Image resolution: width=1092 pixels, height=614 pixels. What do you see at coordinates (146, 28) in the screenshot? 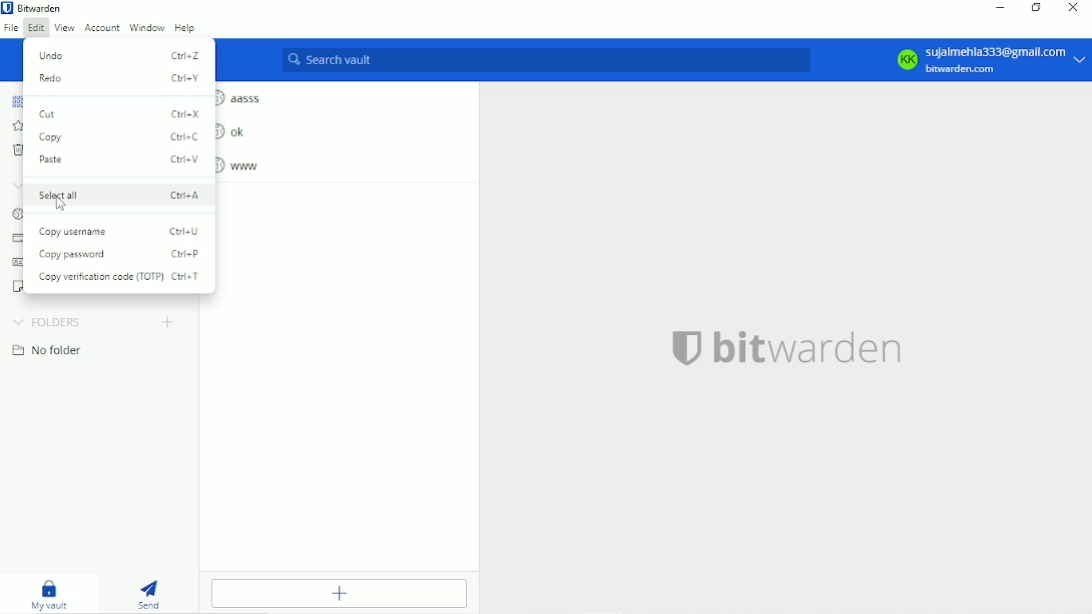
I see `Window` at bounding box center [146, 28].